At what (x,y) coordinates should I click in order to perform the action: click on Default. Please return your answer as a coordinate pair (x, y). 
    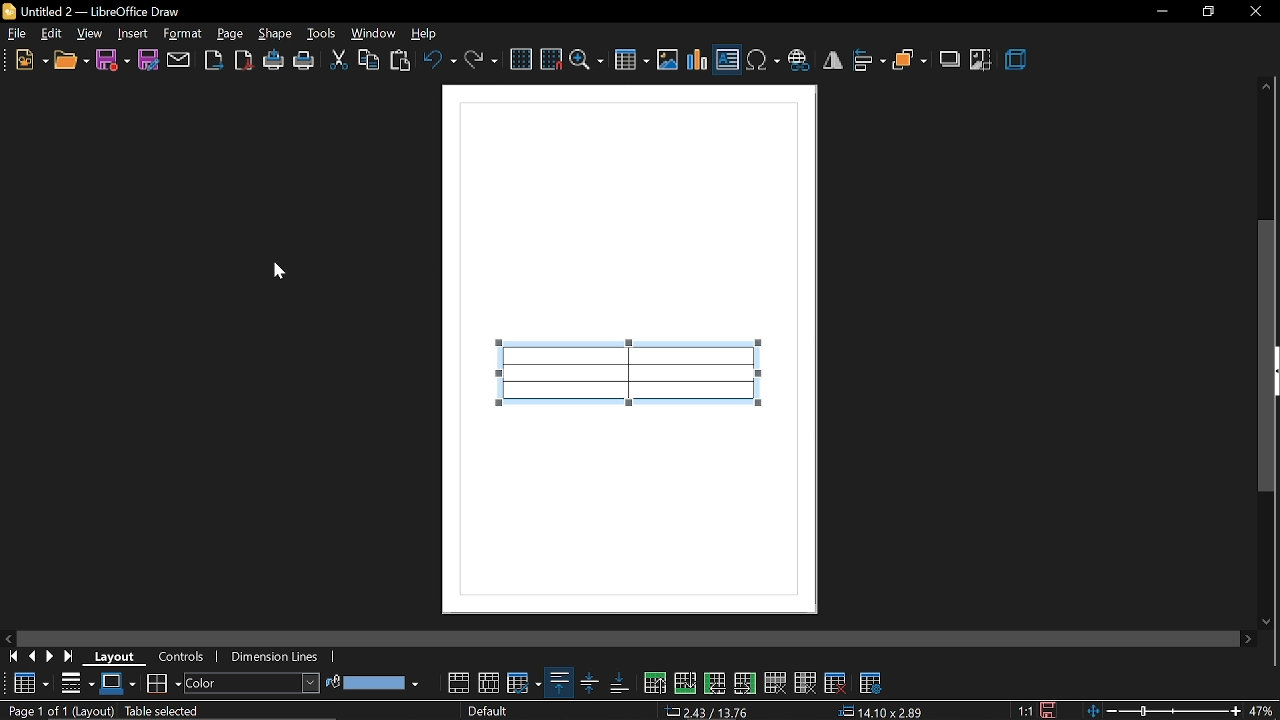
    Looking at the image, I should click on (482, 711).